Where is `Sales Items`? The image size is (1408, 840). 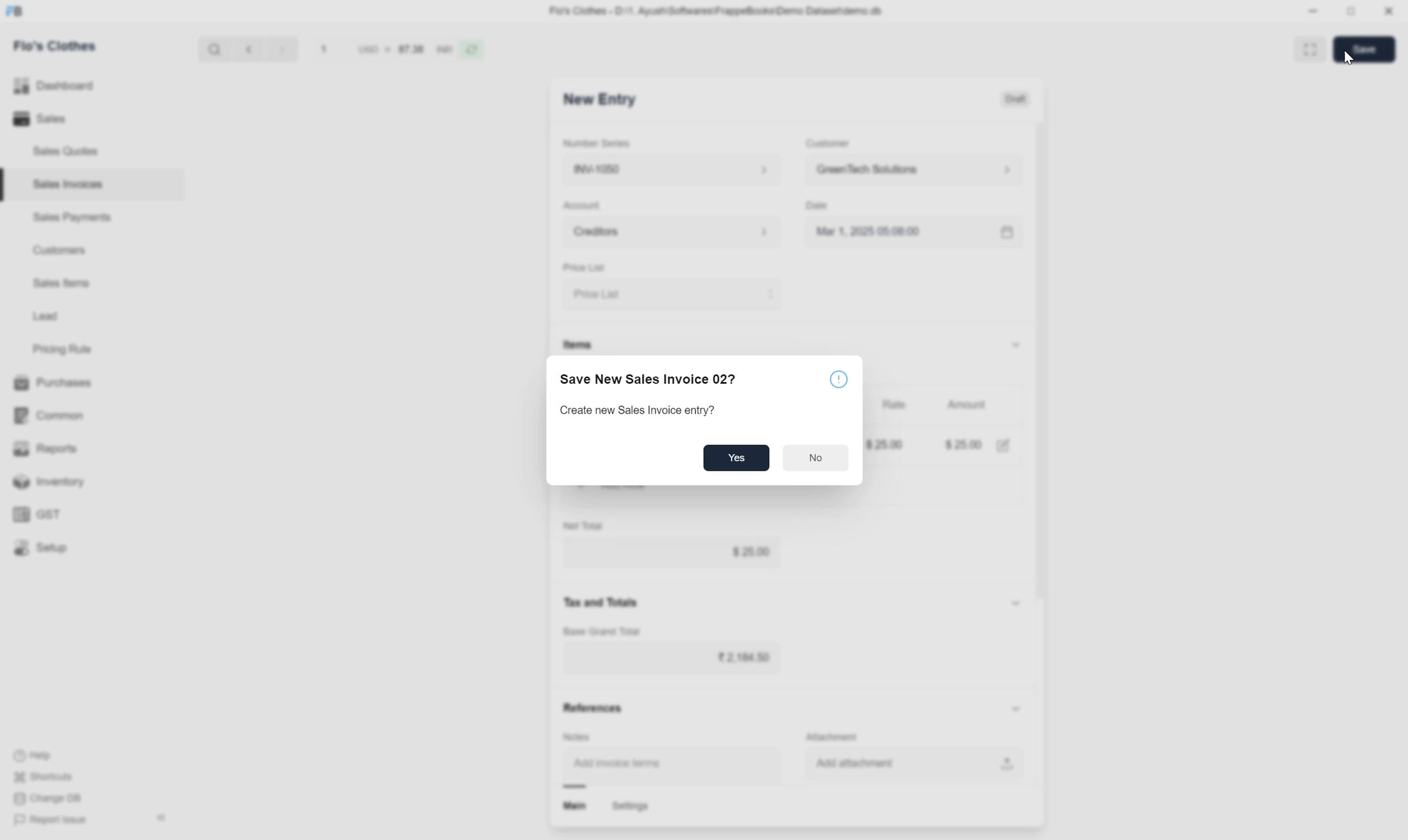 Sales Items is located at coordinates (62, 284).